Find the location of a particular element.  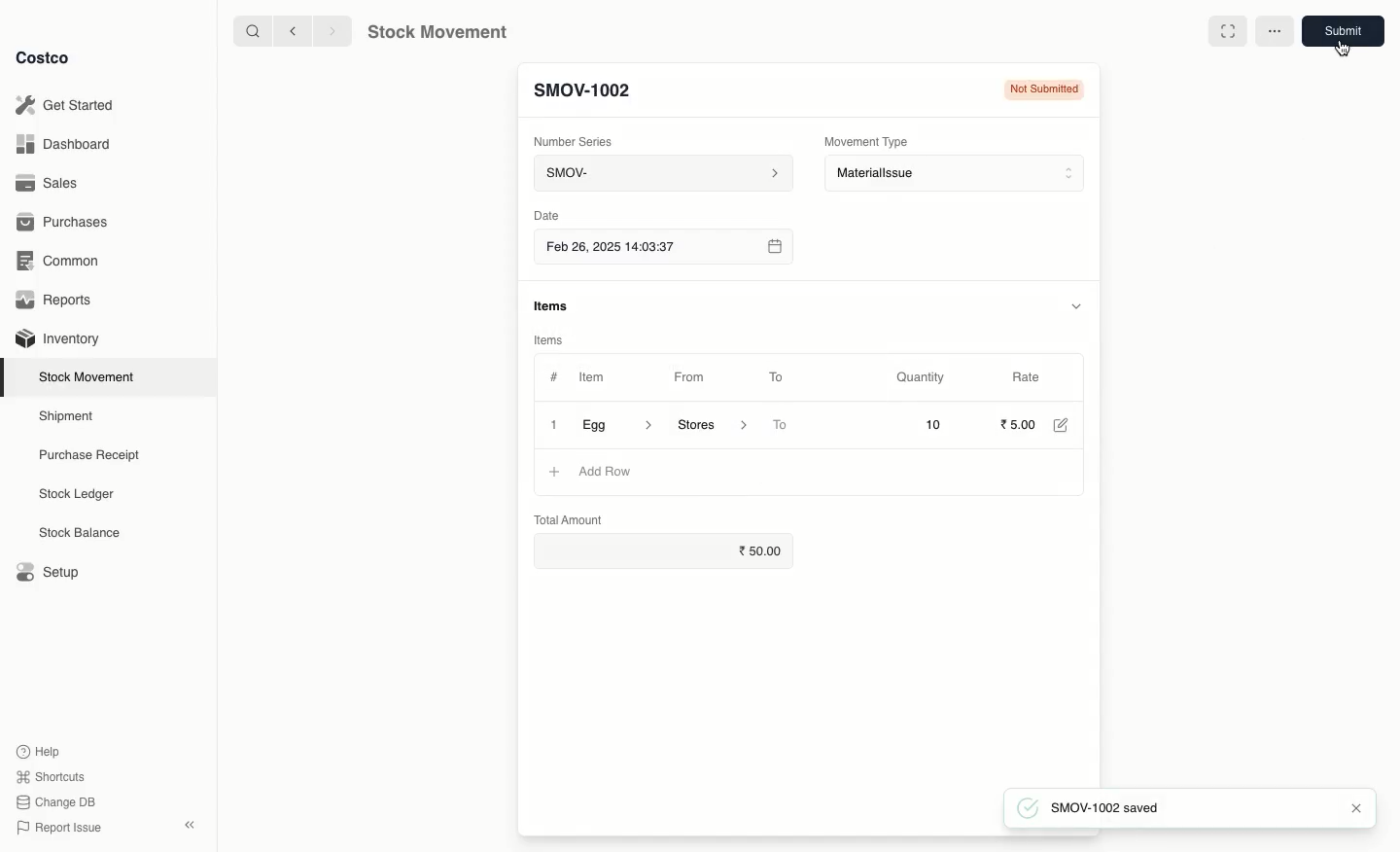

Shipment is located at coordinates (67, 417).